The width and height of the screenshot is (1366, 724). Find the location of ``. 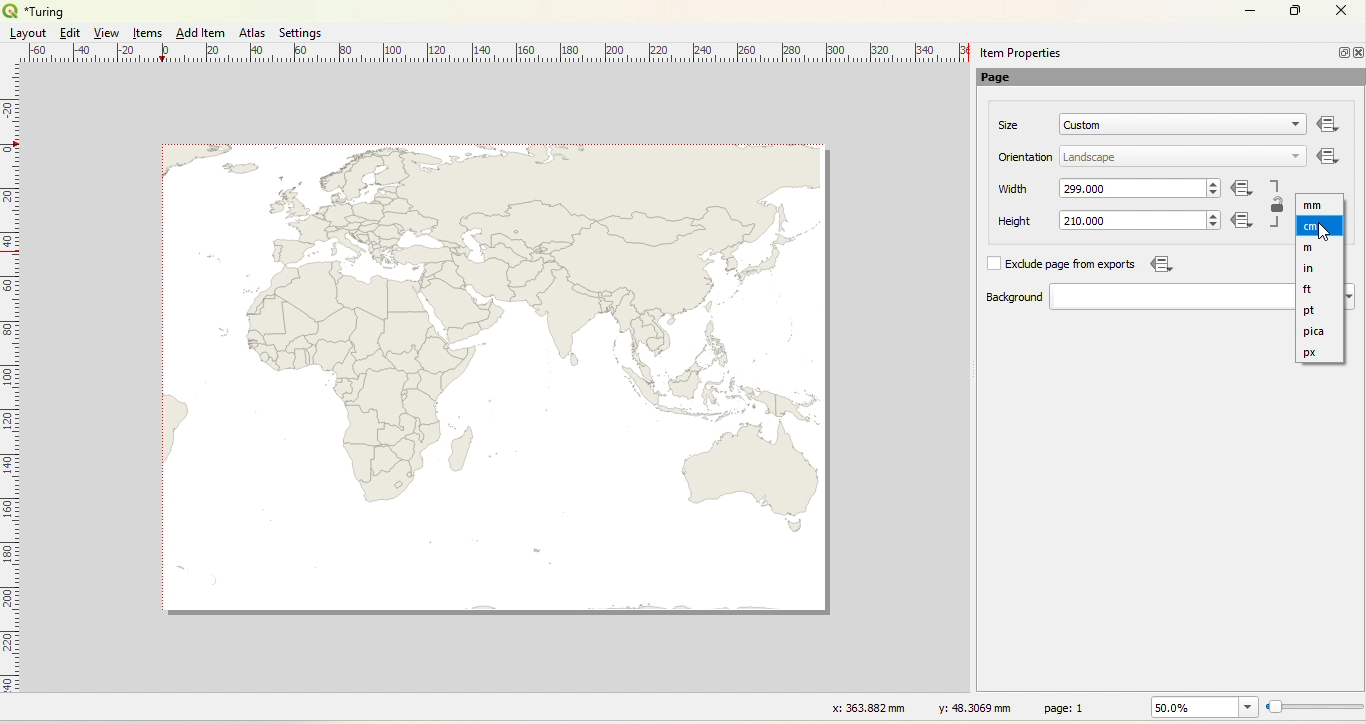

 is located at coordinates (1085, 221).